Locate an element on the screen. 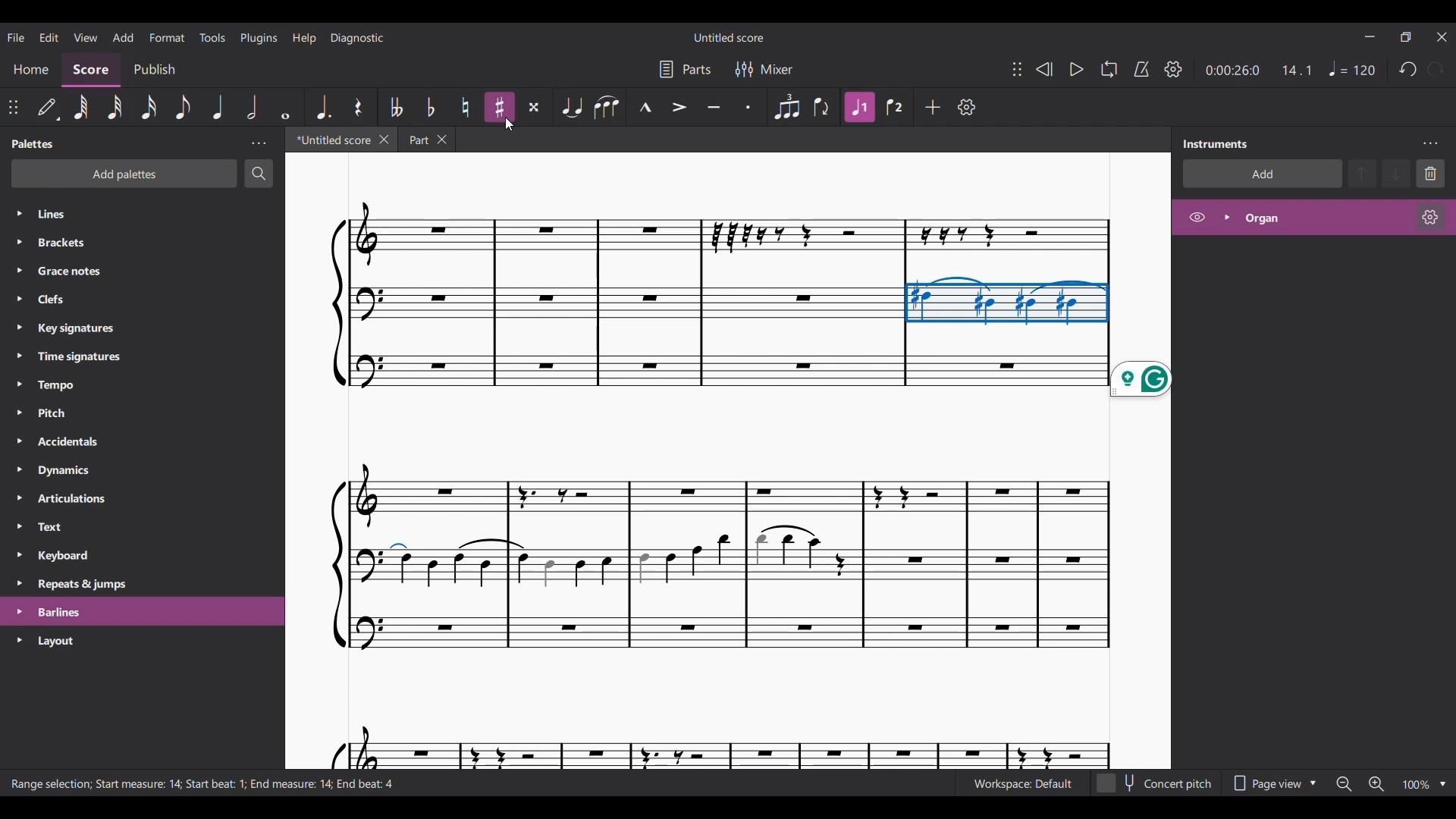  Toggle sharp highlighted by cursor is located at coordinates (500, 107).